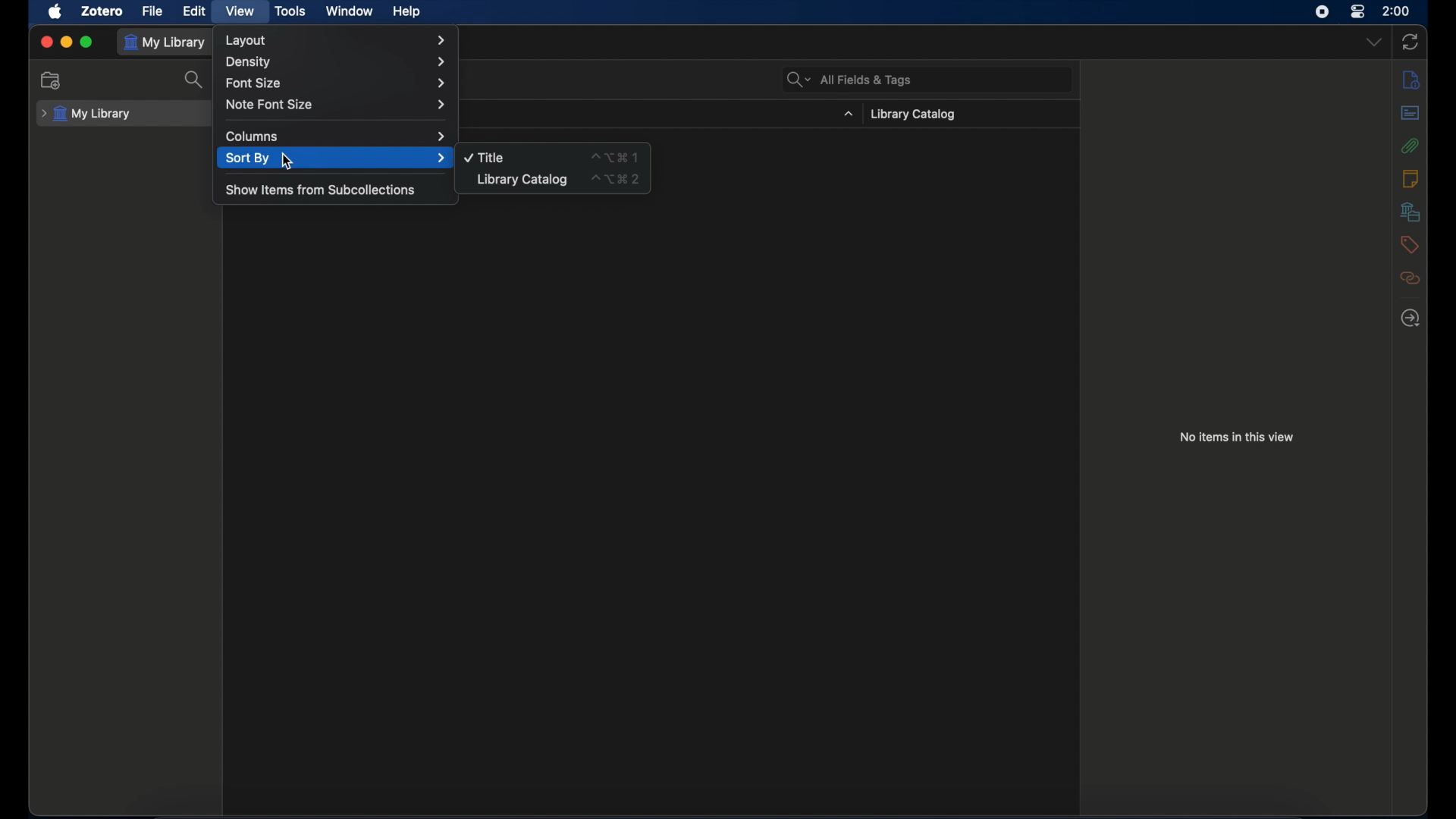 This screenshot has height=819, width=1456. I want to click on no items in this view, so click(1237, 437).